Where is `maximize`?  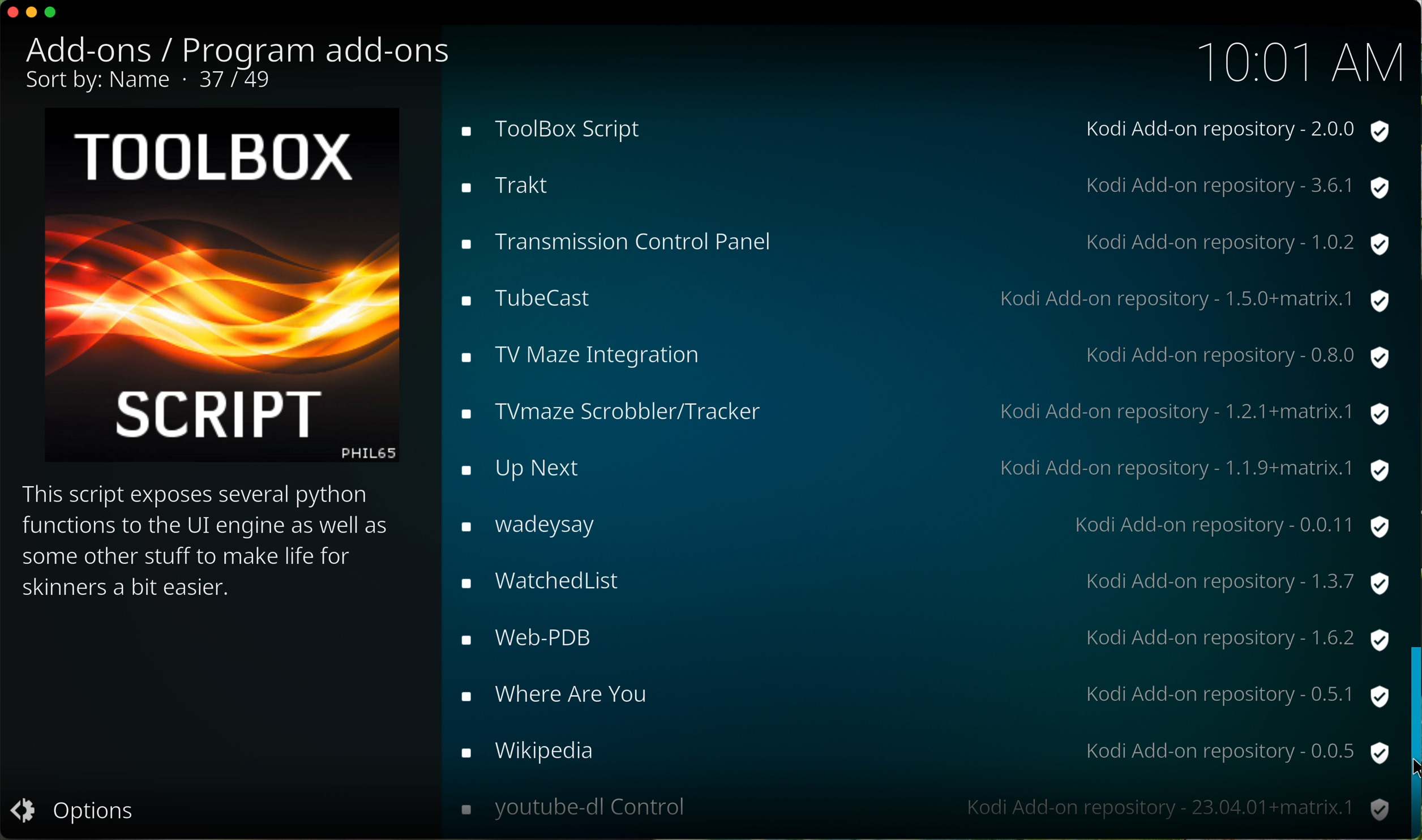
maximize is located at coordinates (52, 14).